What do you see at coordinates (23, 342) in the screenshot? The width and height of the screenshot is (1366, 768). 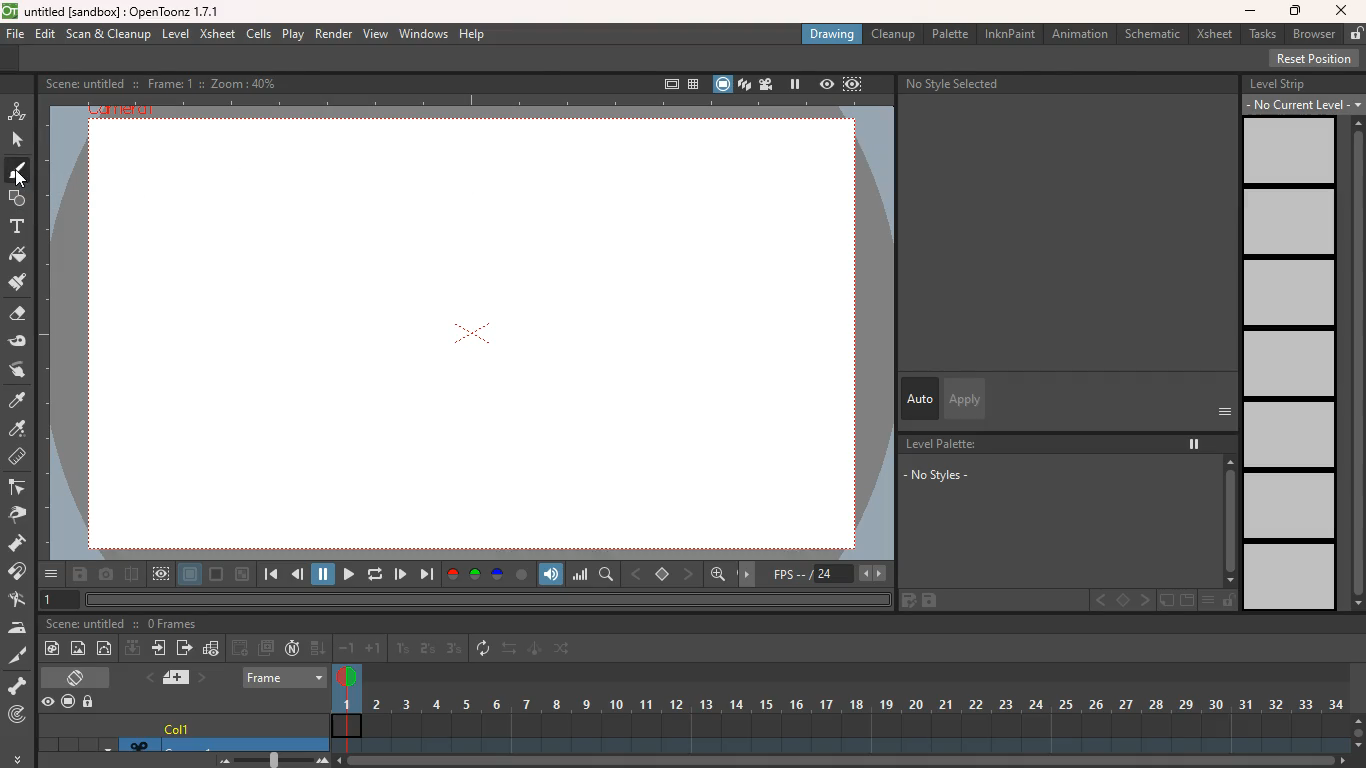 I see `edit` at bounding box center [23, 342].